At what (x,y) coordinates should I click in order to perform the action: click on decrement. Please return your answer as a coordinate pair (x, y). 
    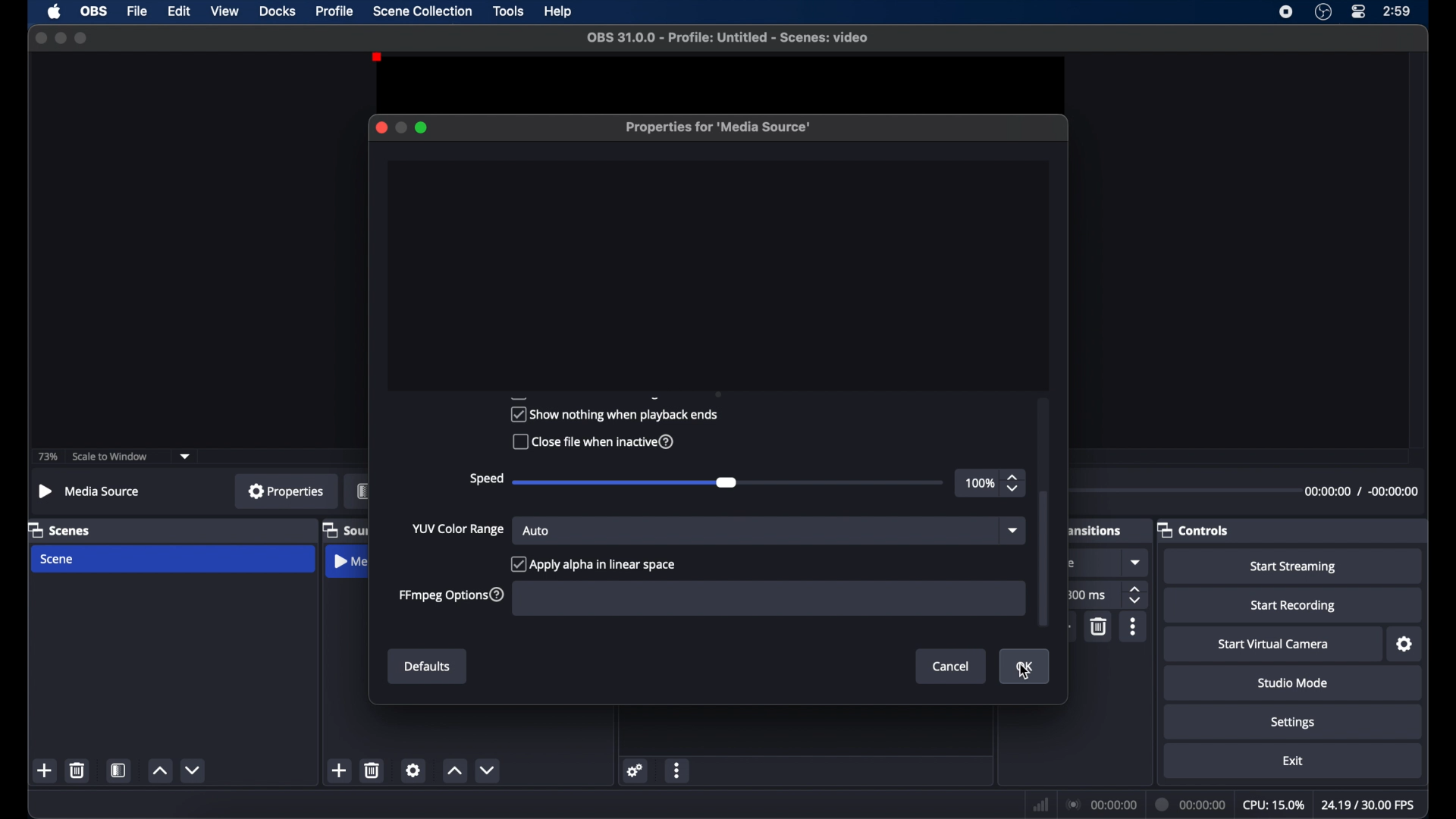
    Looking at the image, I should click on (487, 771).